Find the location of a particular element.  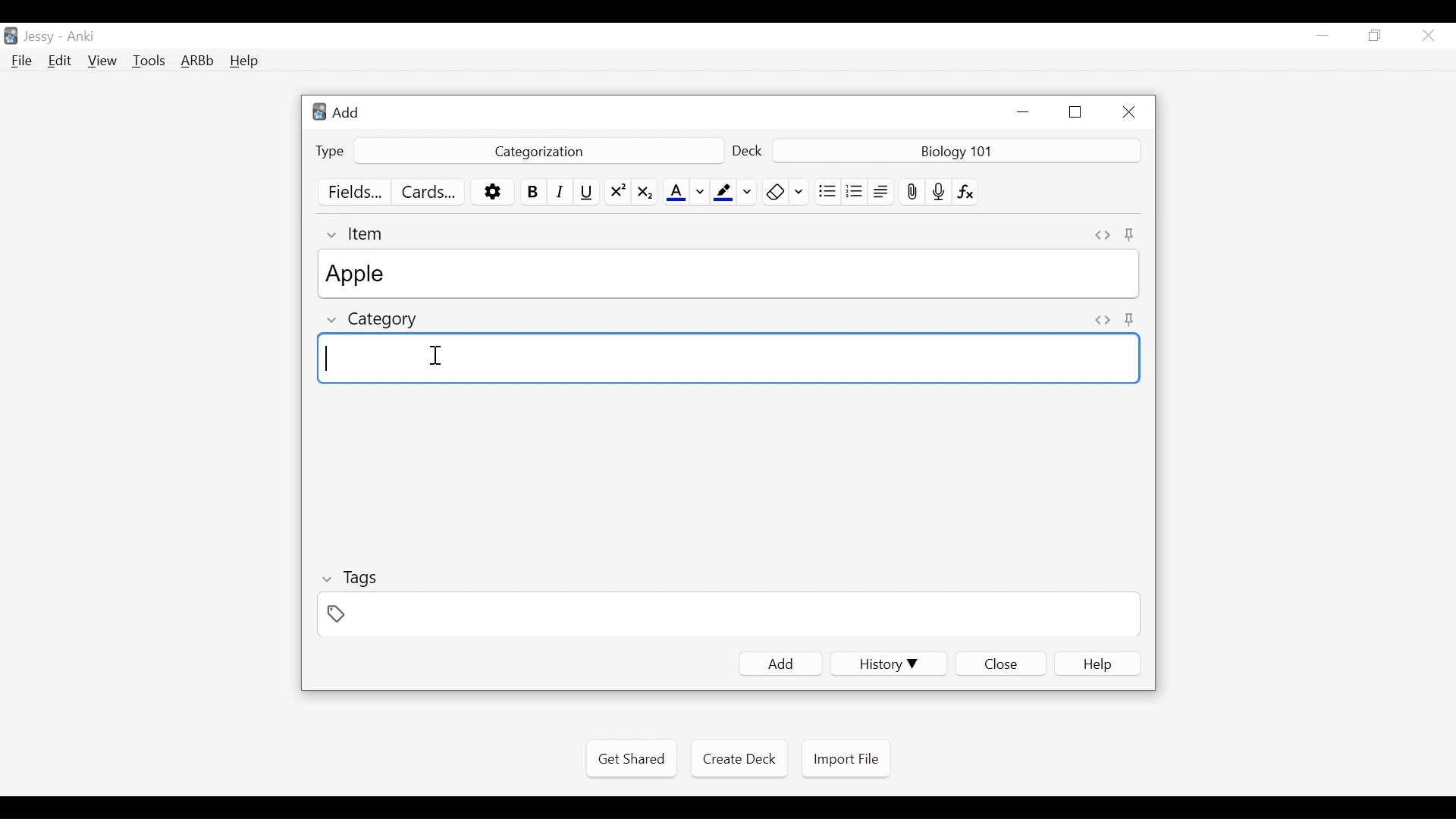

Restore is located at coordinates (1076, 112).